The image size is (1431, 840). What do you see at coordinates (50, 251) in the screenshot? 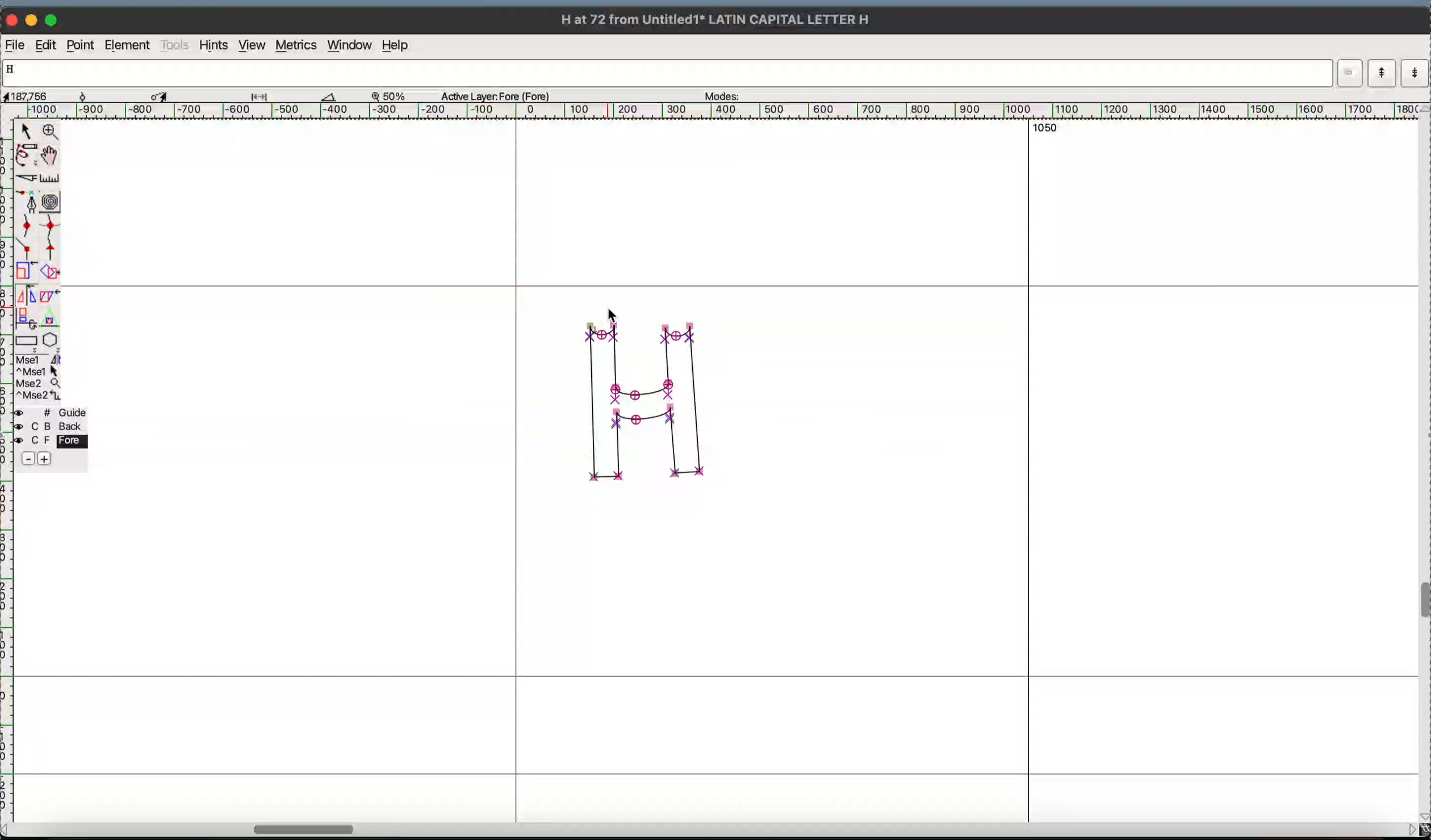
I see `tangent` at bounding box center [50, 251].